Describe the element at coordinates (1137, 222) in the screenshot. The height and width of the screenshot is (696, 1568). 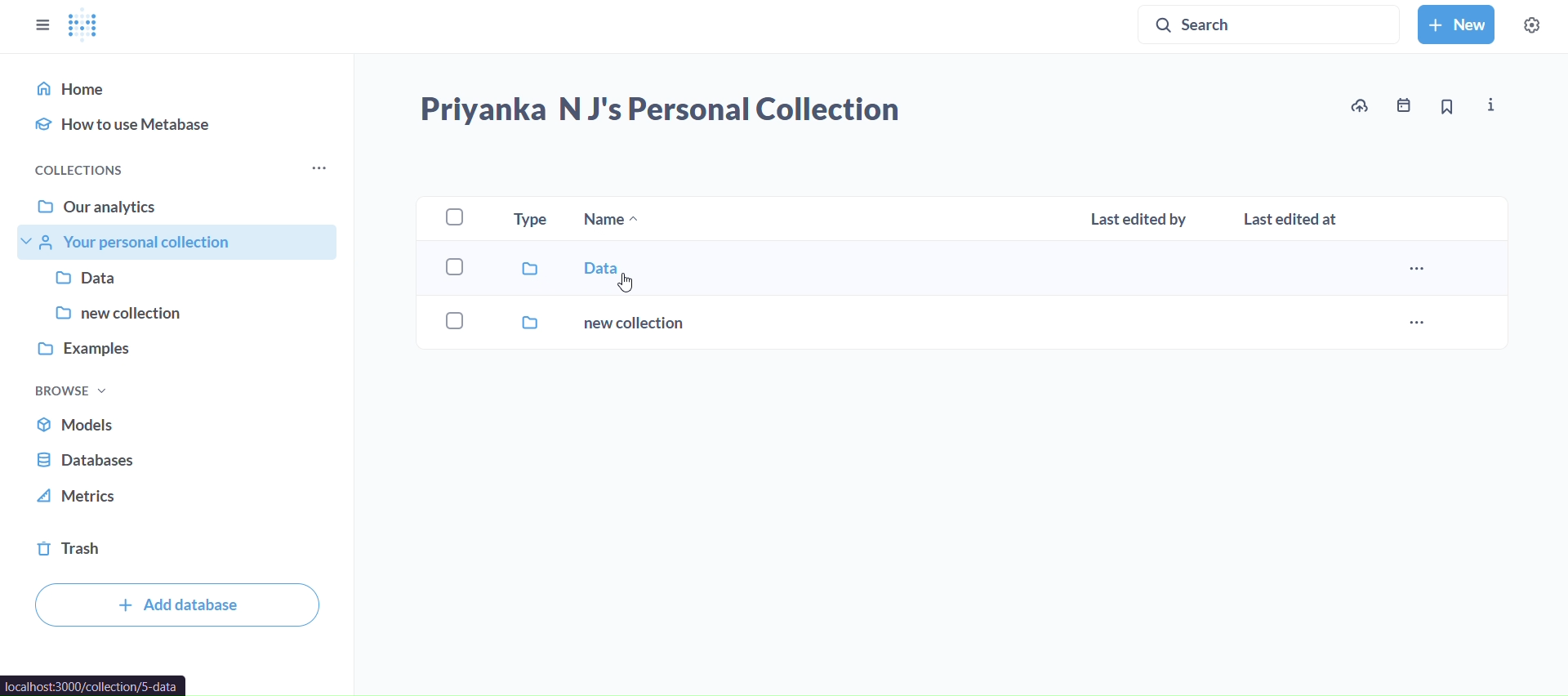
I see `last edited by` at that location.